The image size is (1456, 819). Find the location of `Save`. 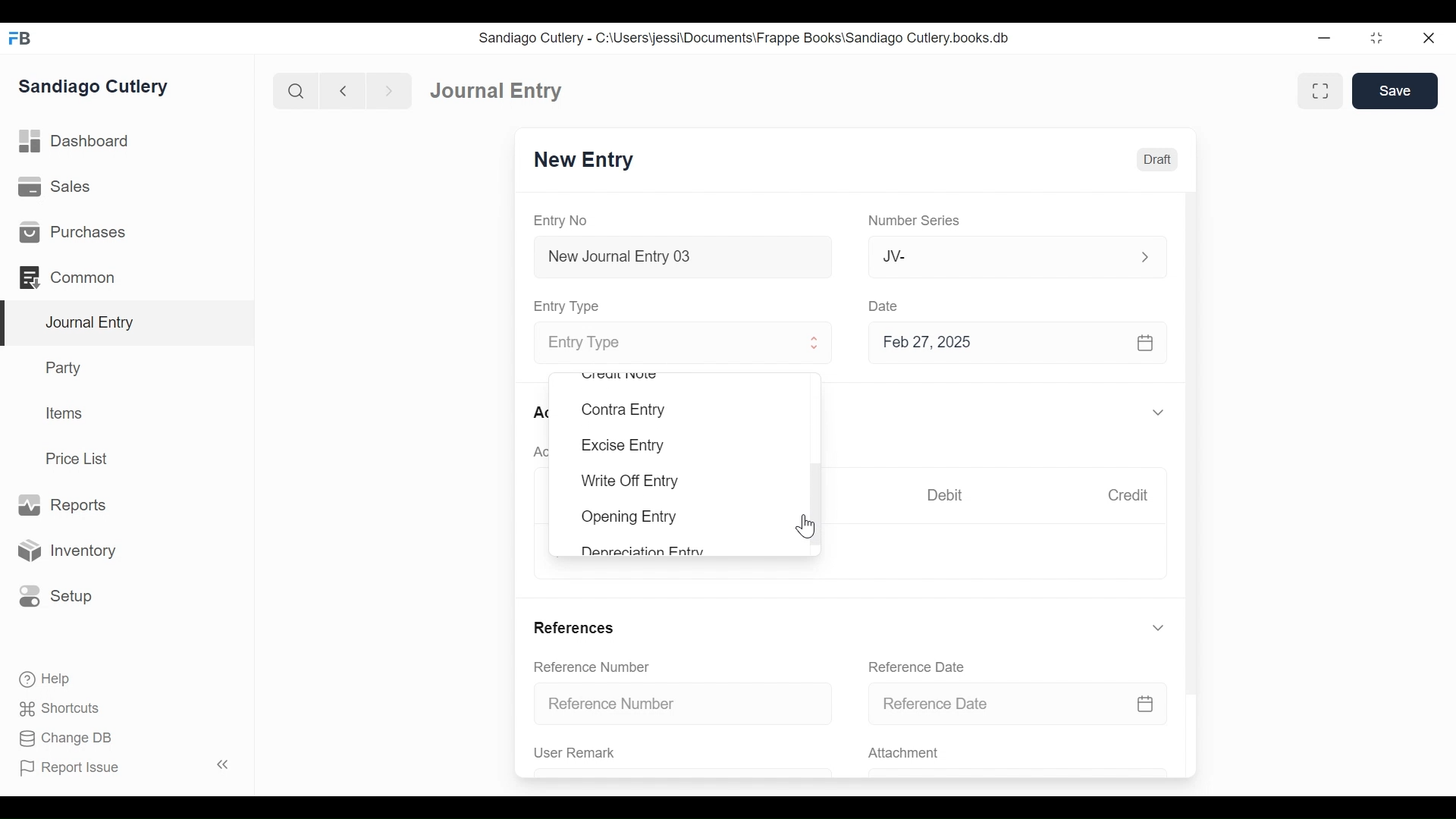

Save is located at coordinates (1397, 91).